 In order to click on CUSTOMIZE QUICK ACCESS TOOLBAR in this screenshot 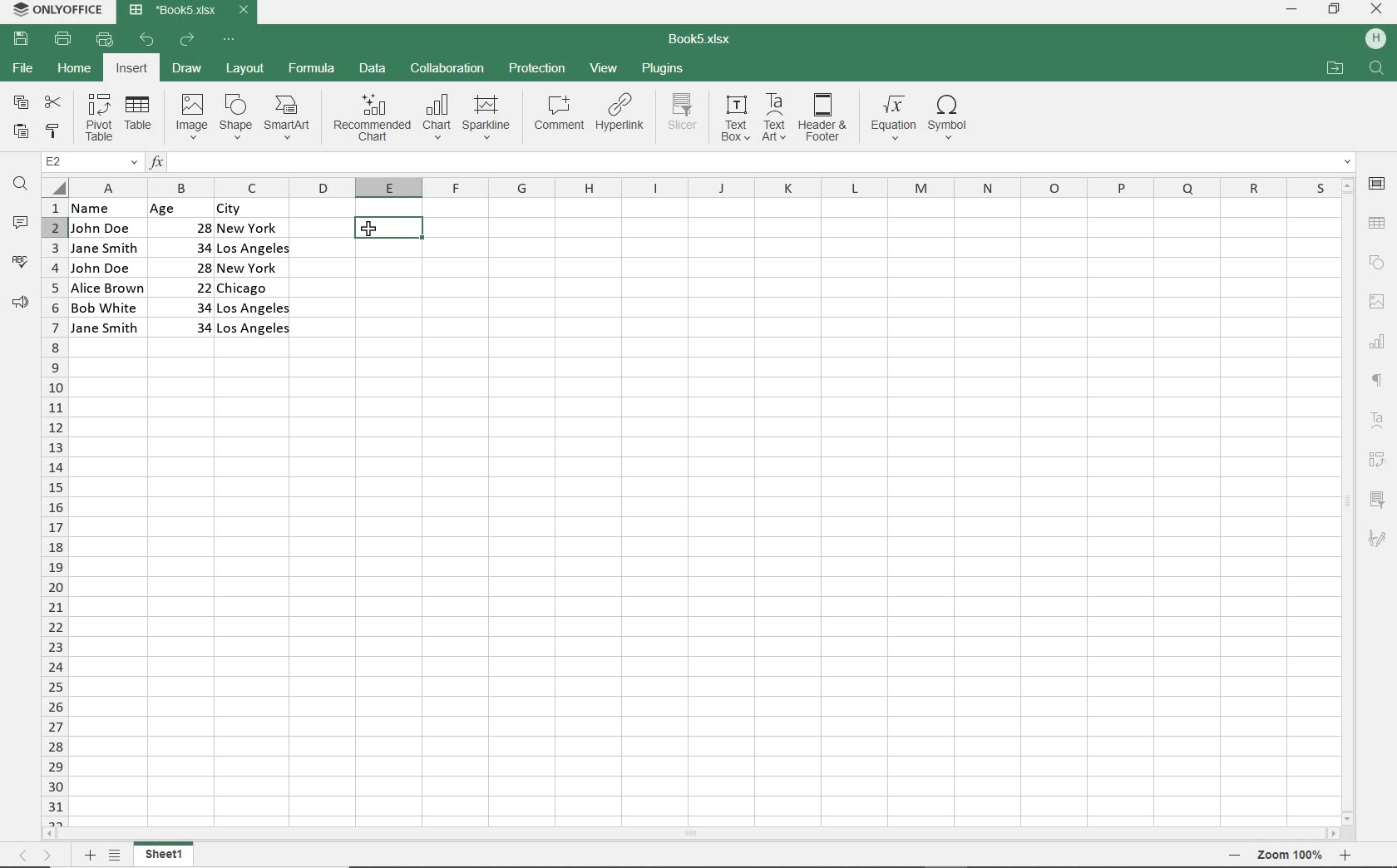, I will do `click(228, 41)`.